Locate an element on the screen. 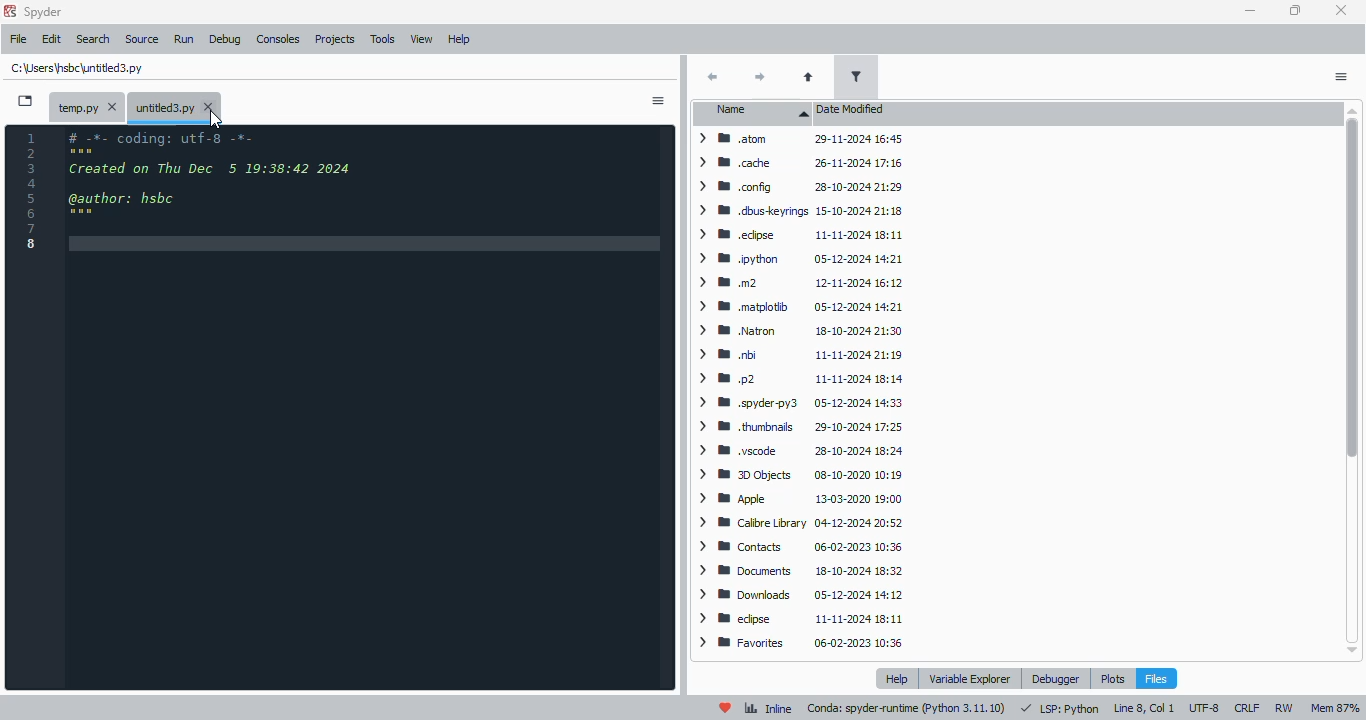  CRLF is located at coordinates (1247, 706).